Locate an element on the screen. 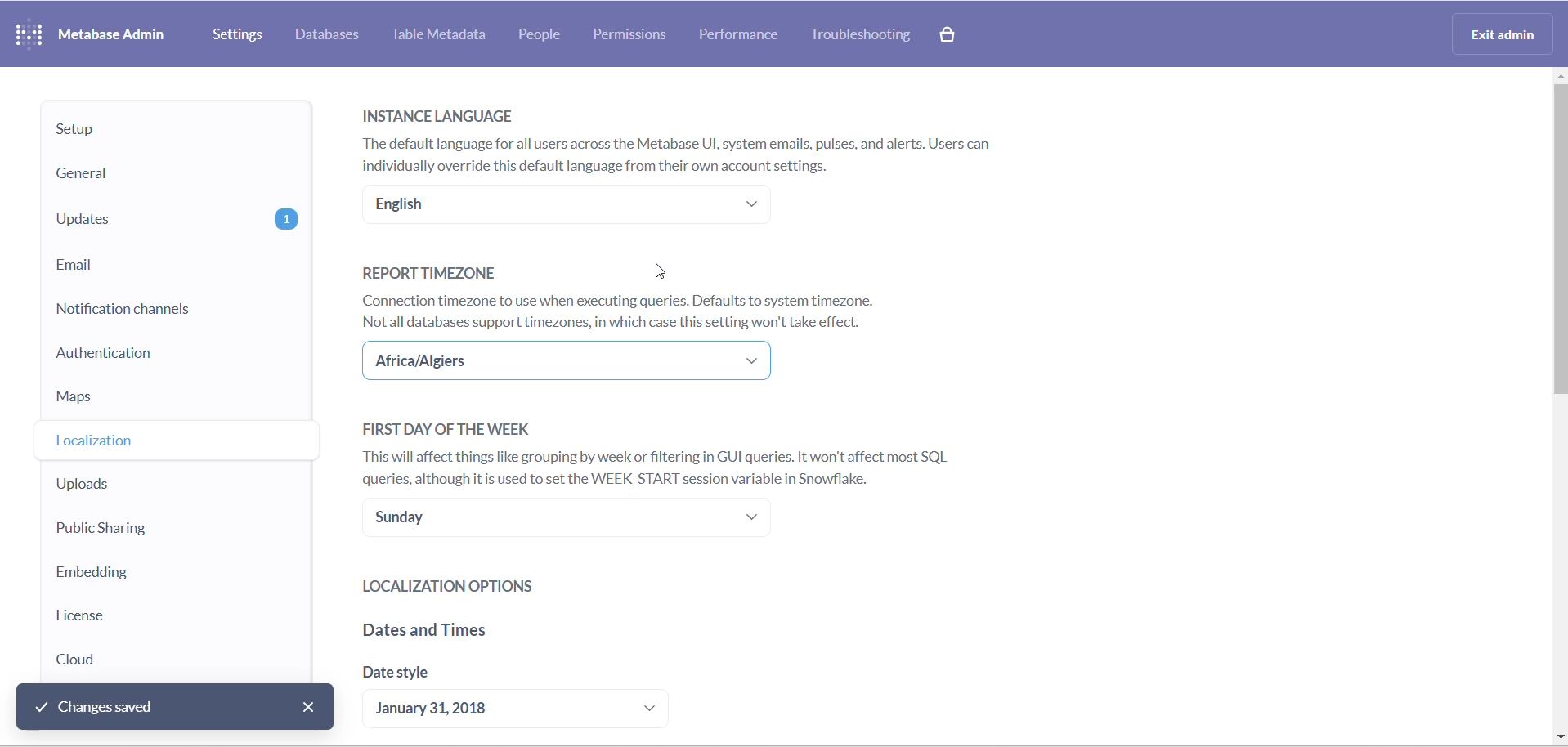  cursor is located at coordinates (661, 269).